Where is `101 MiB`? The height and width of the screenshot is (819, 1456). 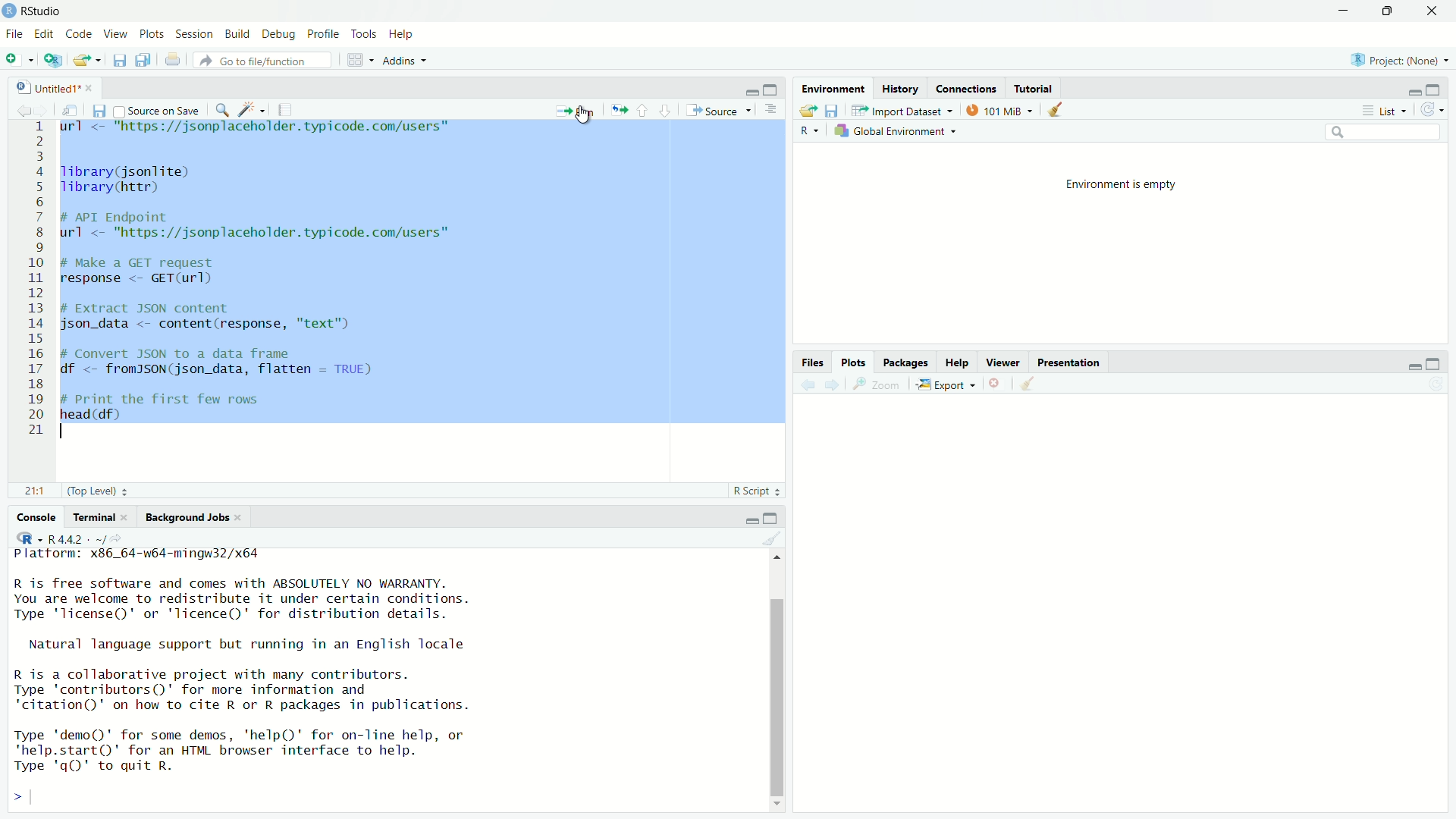 101 MiB is located at coordinates (1001, 111).